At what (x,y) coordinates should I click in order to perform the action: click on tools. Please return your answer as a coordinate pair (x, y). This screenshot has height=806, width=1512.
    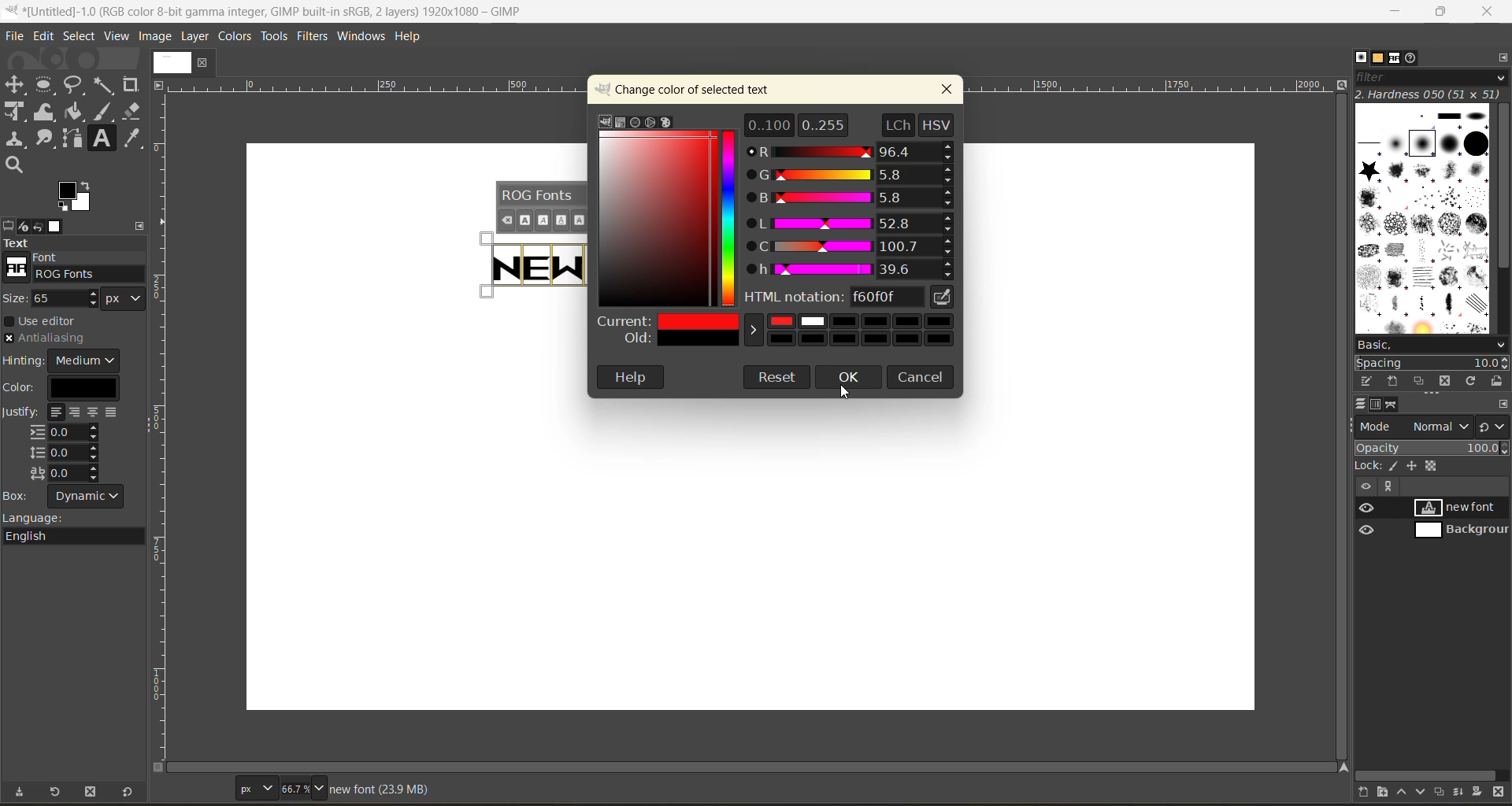
    Looking at the image, I should click on (274, 36).